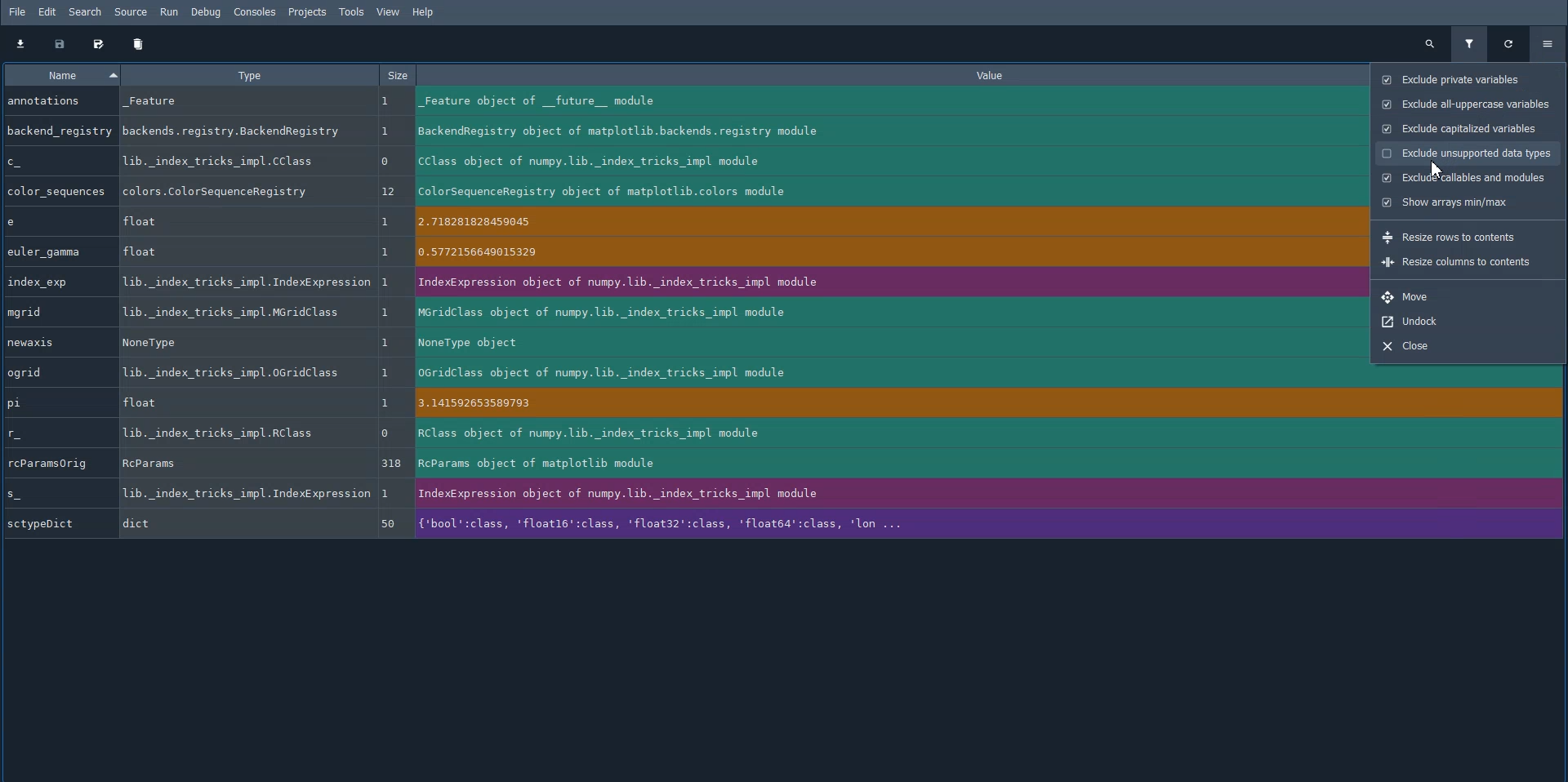 This screenshot has width=1568, height=782. Describe the element at coordinates (425, 13) in the screenshot. I see `Help` at that location.